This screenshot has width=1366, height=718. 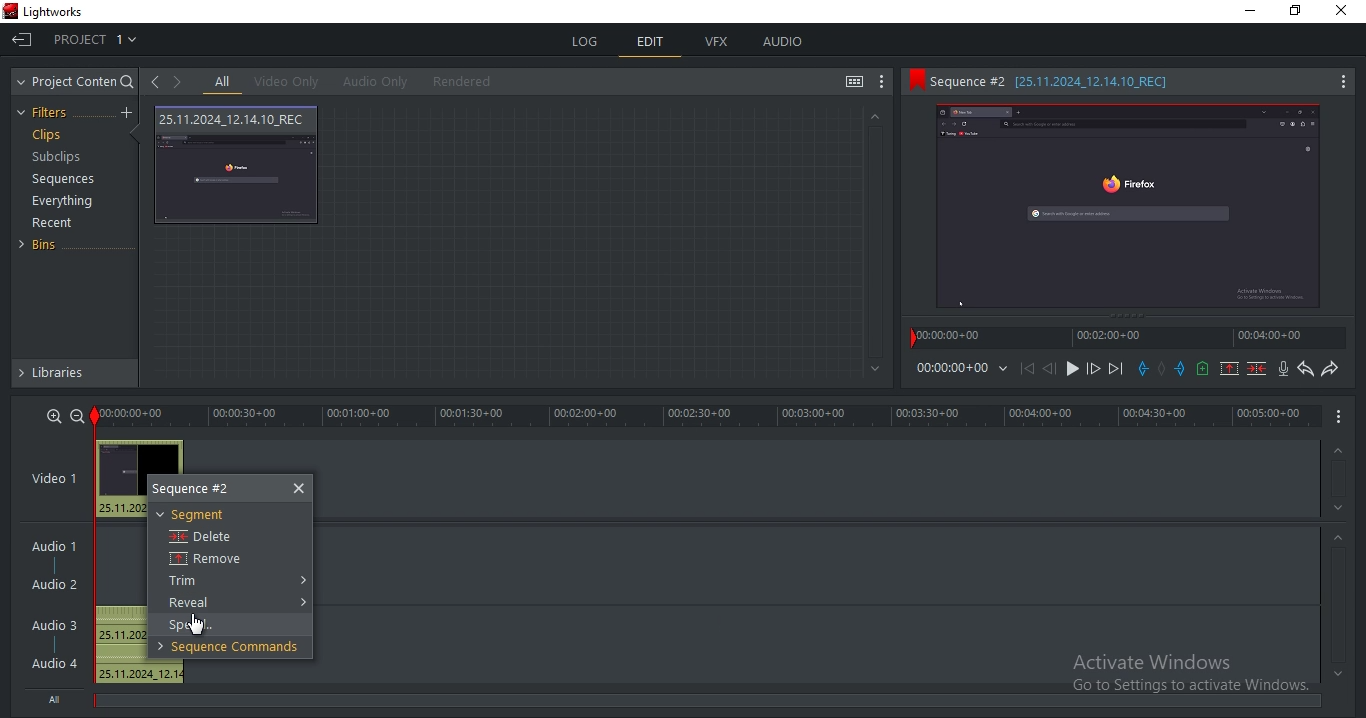 What do you see at coordinates (199, 490) in the screenshot?
I see `sequence #2` at bounding box center [199, 490].